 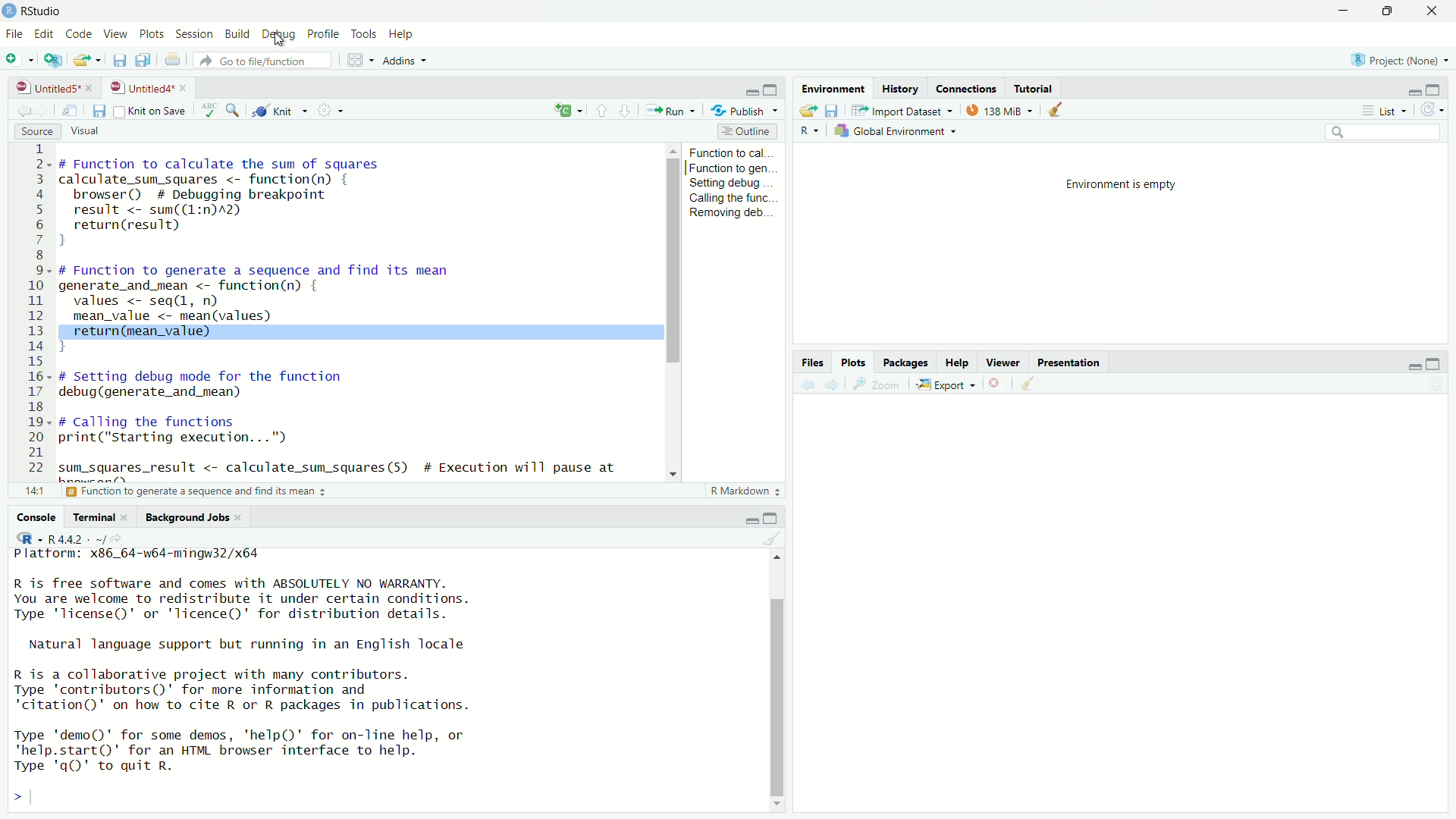 What do you see at coordinates (98, 110) in the screenshot?
I see `save current document` at bounding box center [98, 110].